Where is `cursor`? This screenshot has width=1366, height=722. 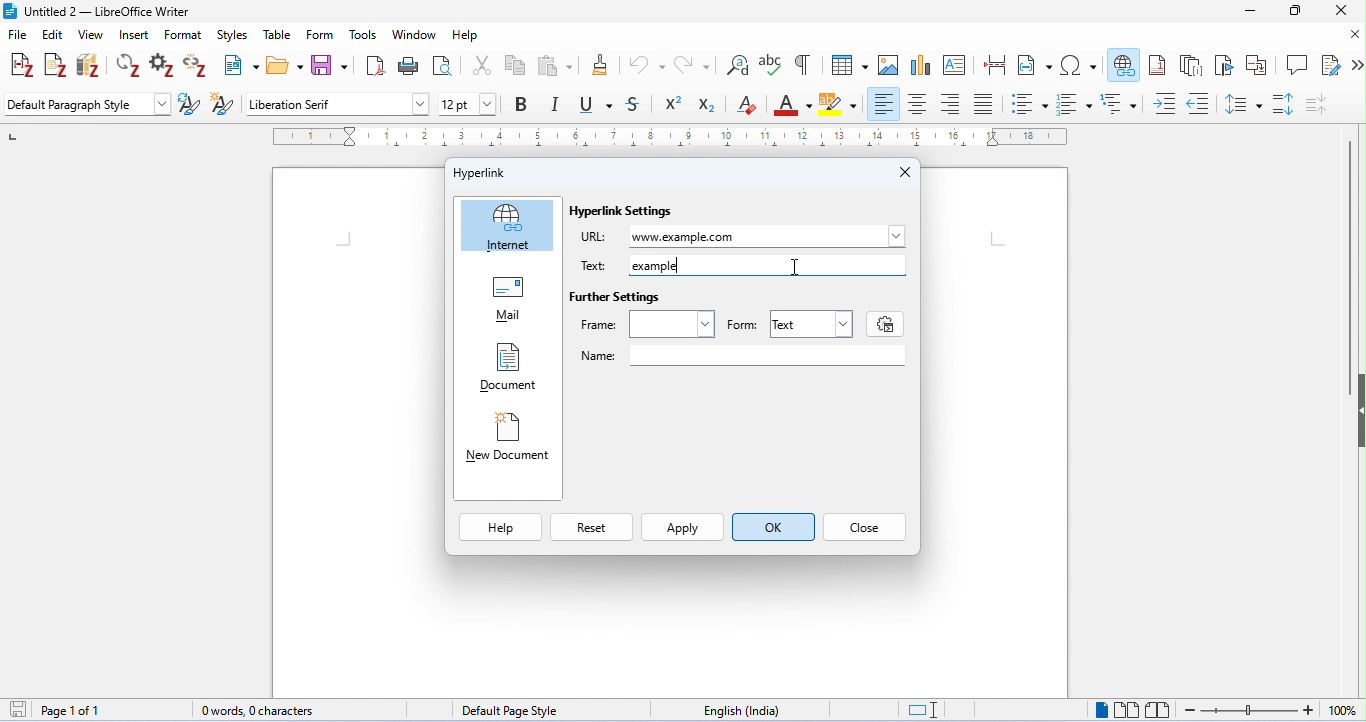
cursor is located at coordinates (1134, 77).